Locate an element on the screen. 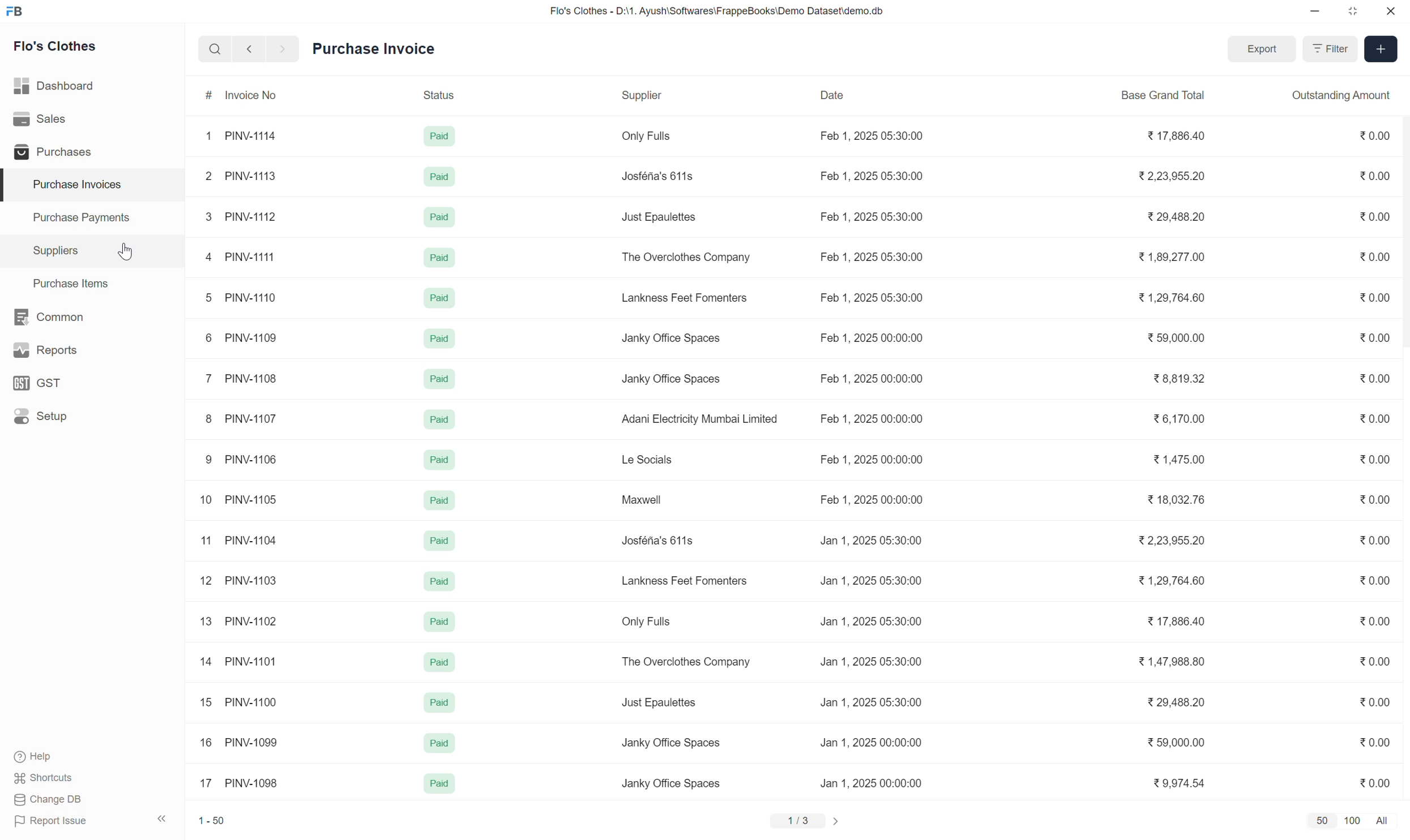  Paid is located at coordinates (439, 541).